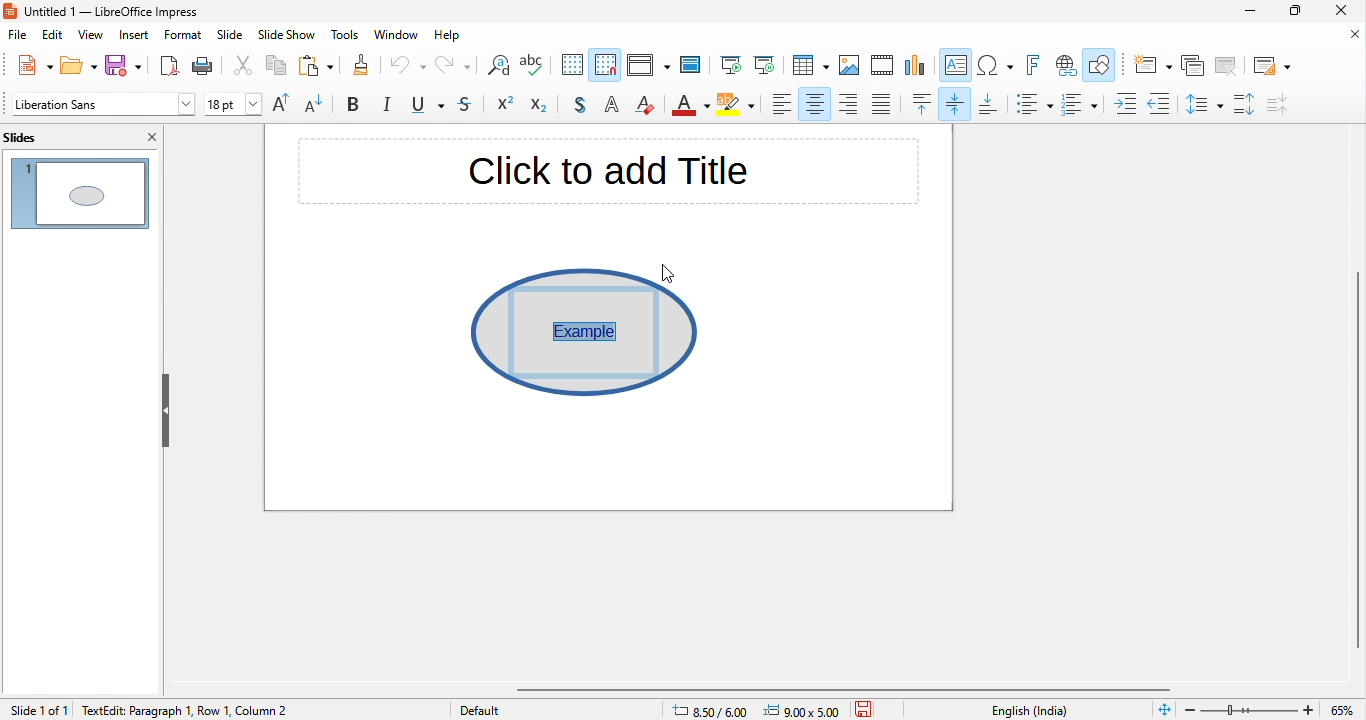 The image size is (1366, 720). Describe the element at coordinates (1127, 103) in the screenshot. I see `increase indent` at that location.